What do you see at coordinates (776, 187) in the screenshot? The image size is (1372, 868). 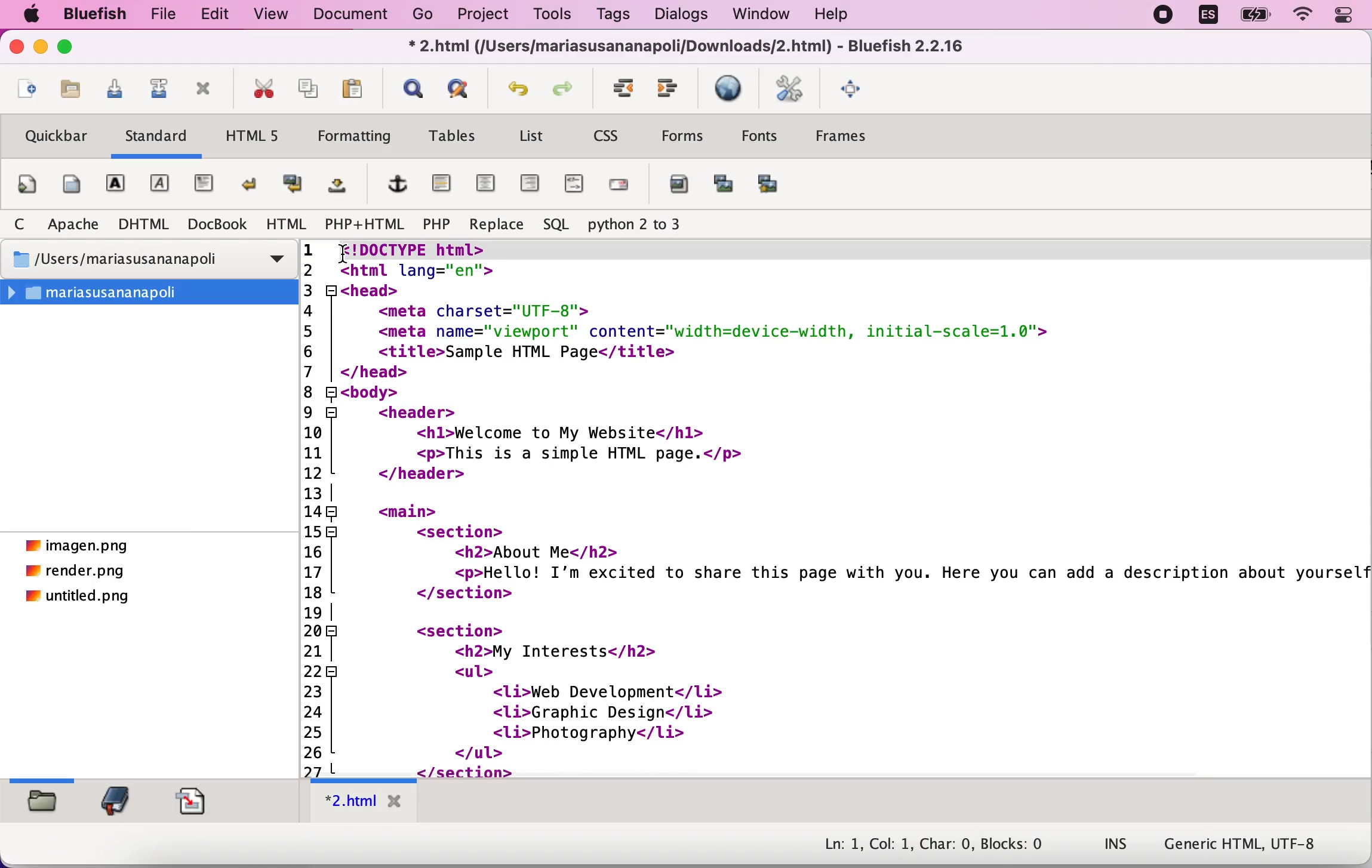 I see `multi thumbnail` at bounding box center [776, 187].